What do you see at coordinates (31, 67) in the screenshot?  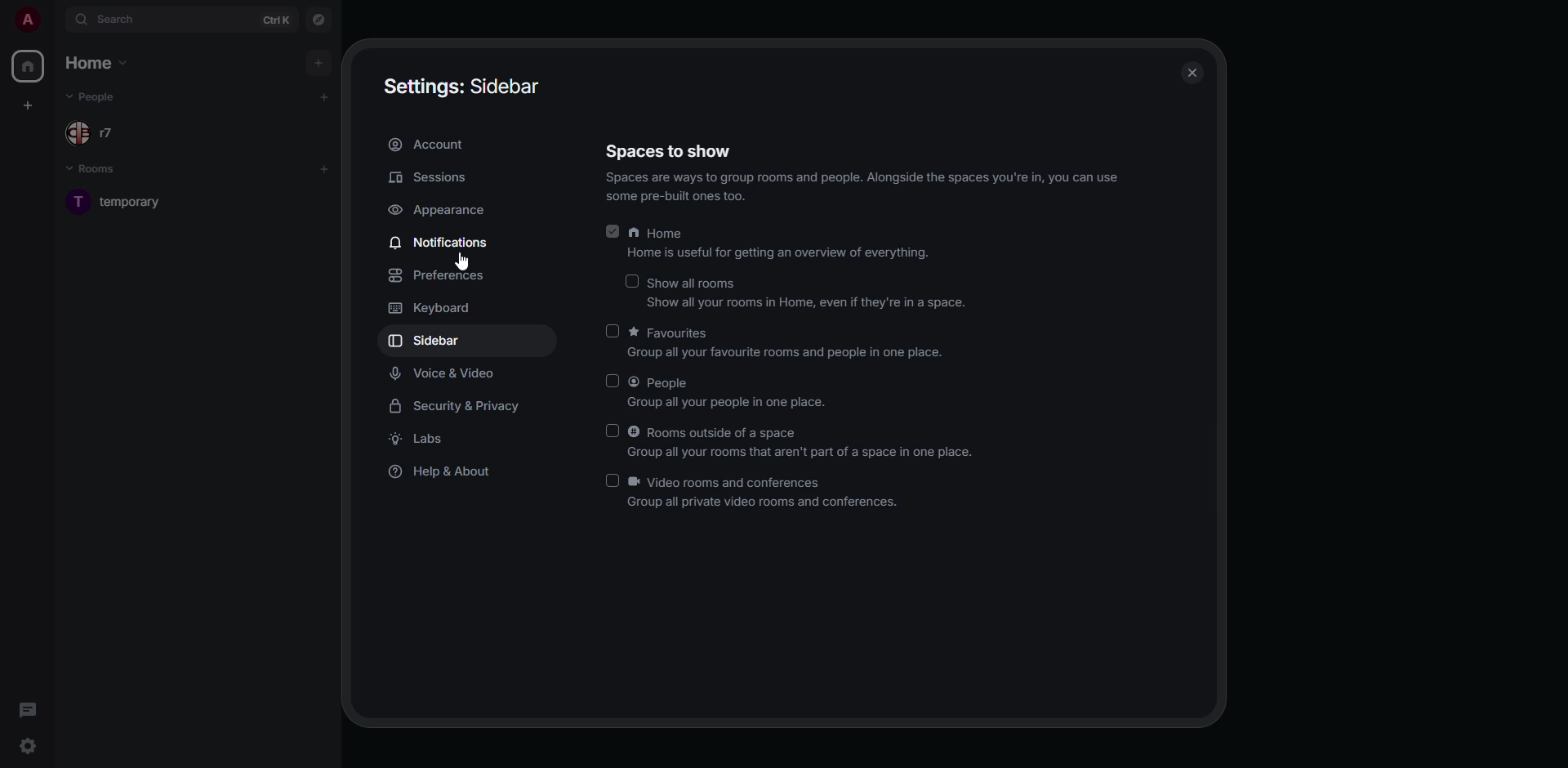 I see `home` at bounding box center [31, 67].